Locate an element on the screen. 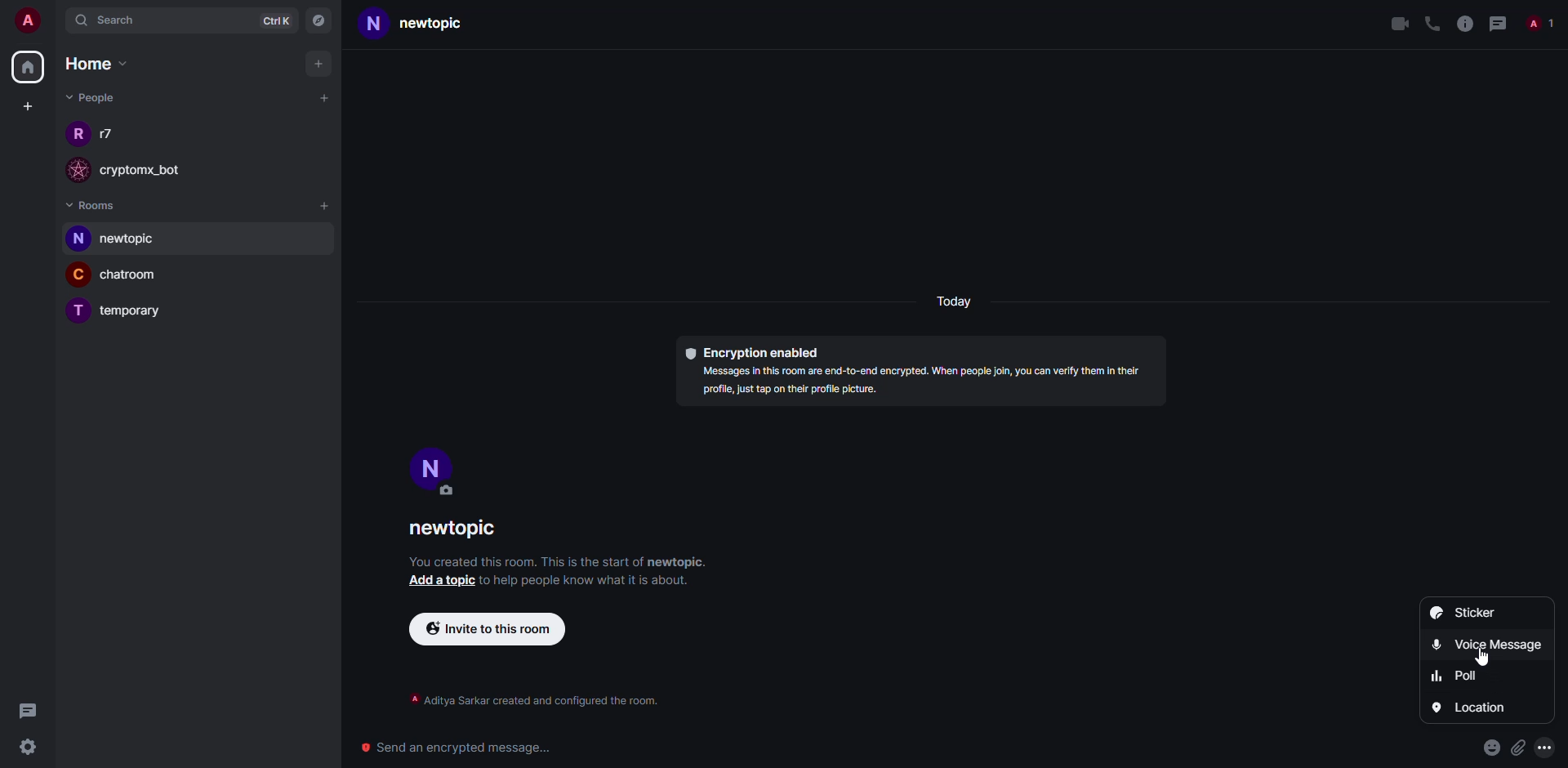 This screenshot has width=1568, height=768. add is located at coordinates (326, 208).